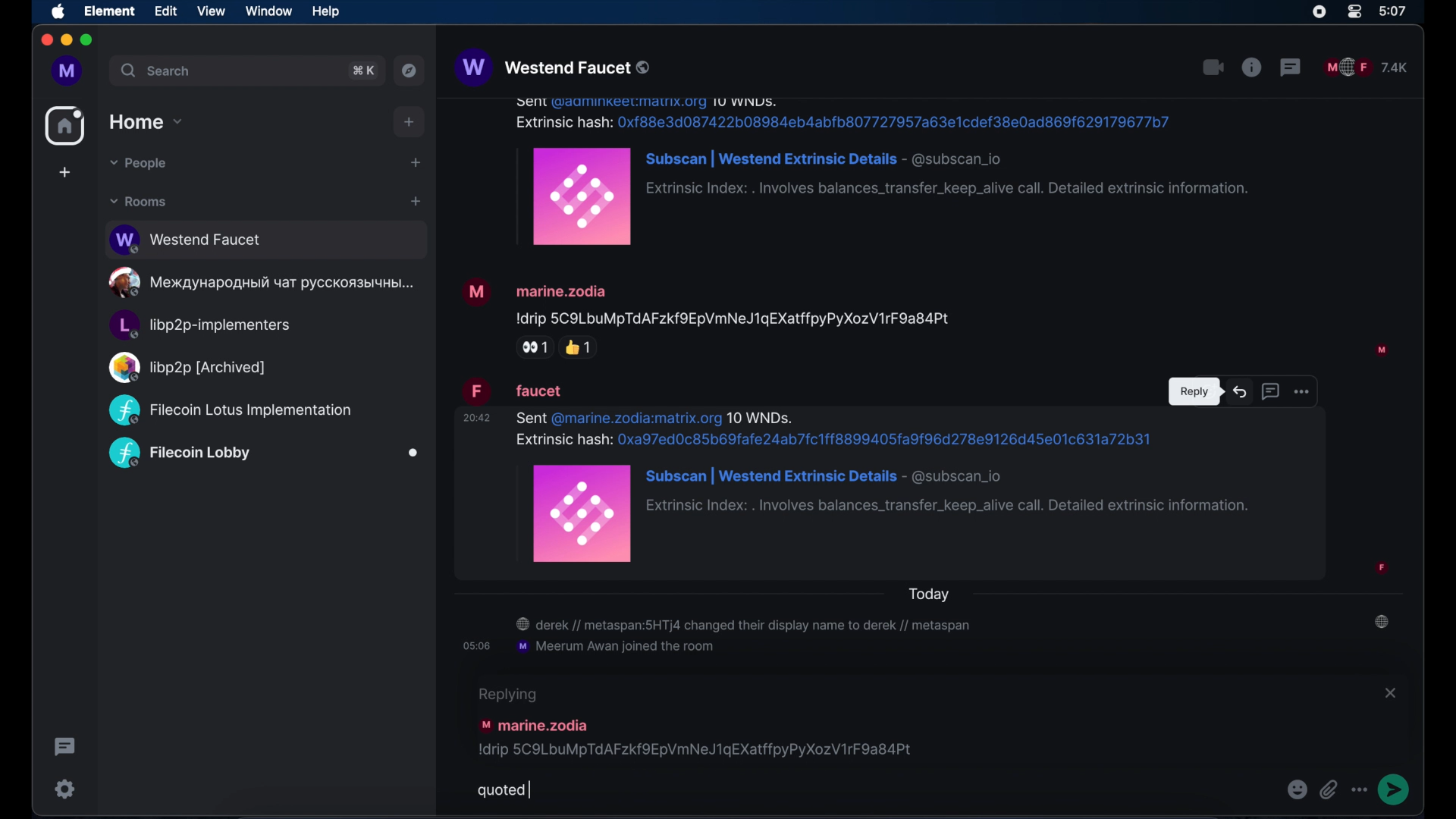 The image size is (1456, 819). I want to click on control center, so click(1354, 12).